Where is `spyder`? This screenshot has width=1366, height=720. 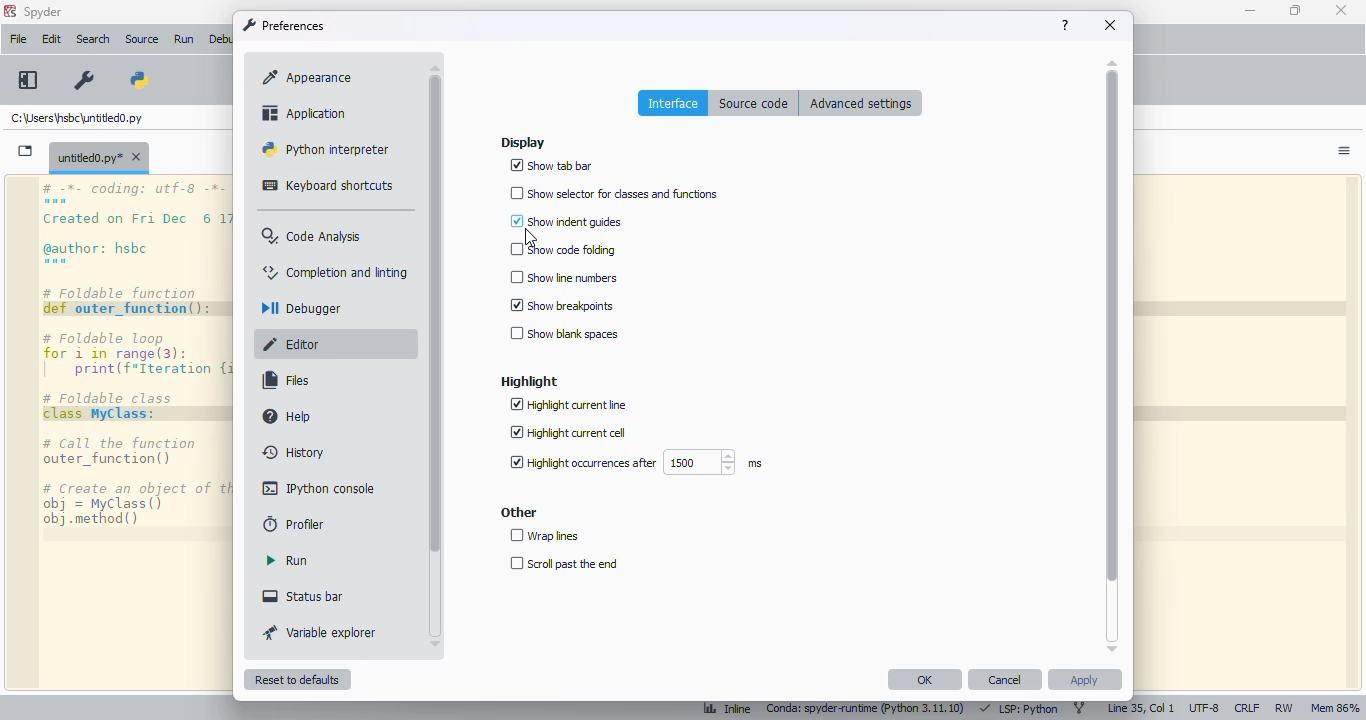
spyder is located at coordinates (43, 12).